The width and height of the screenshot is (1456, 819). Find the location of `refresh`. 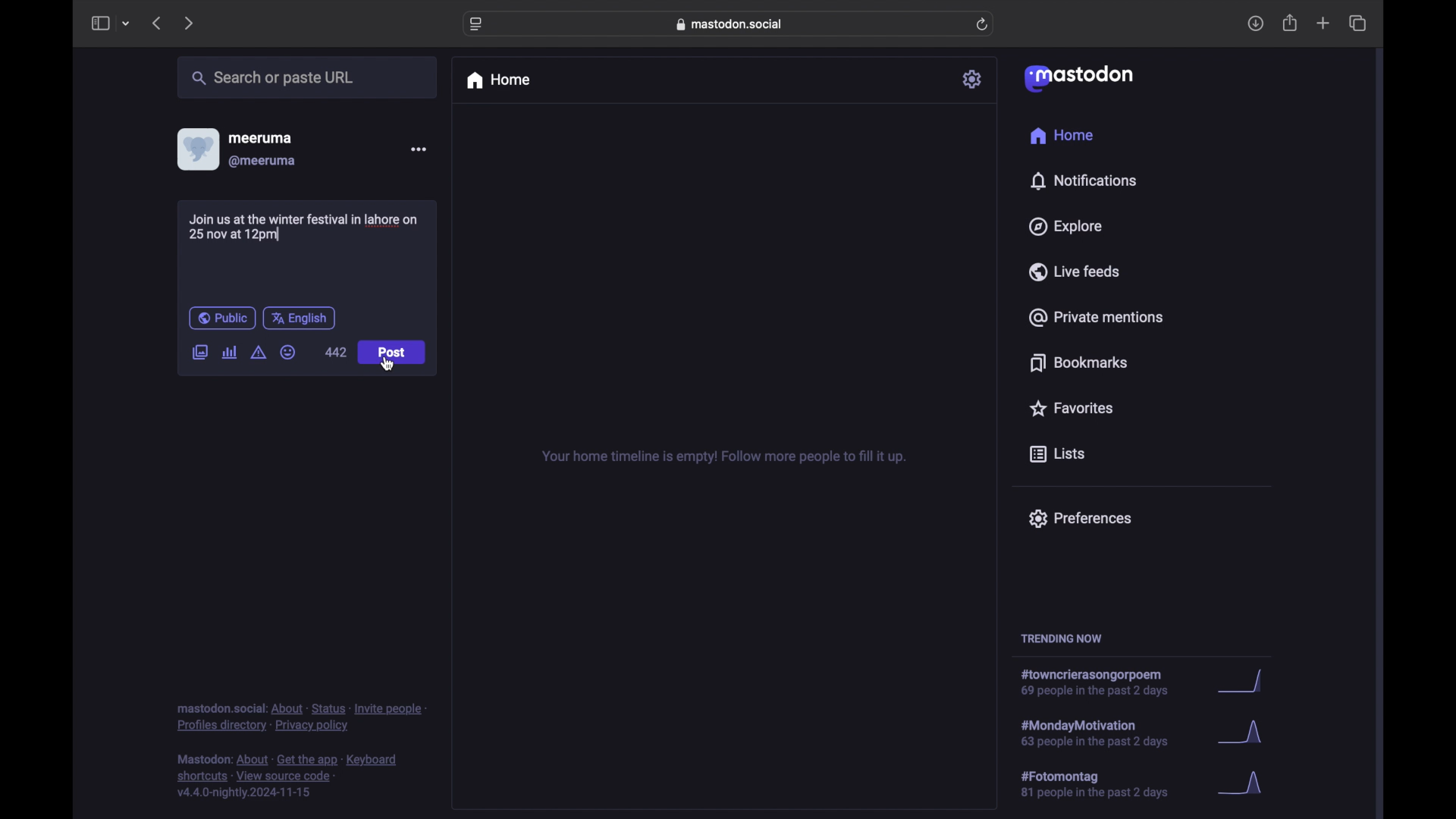

refresh is located at coordinates (984, 25).